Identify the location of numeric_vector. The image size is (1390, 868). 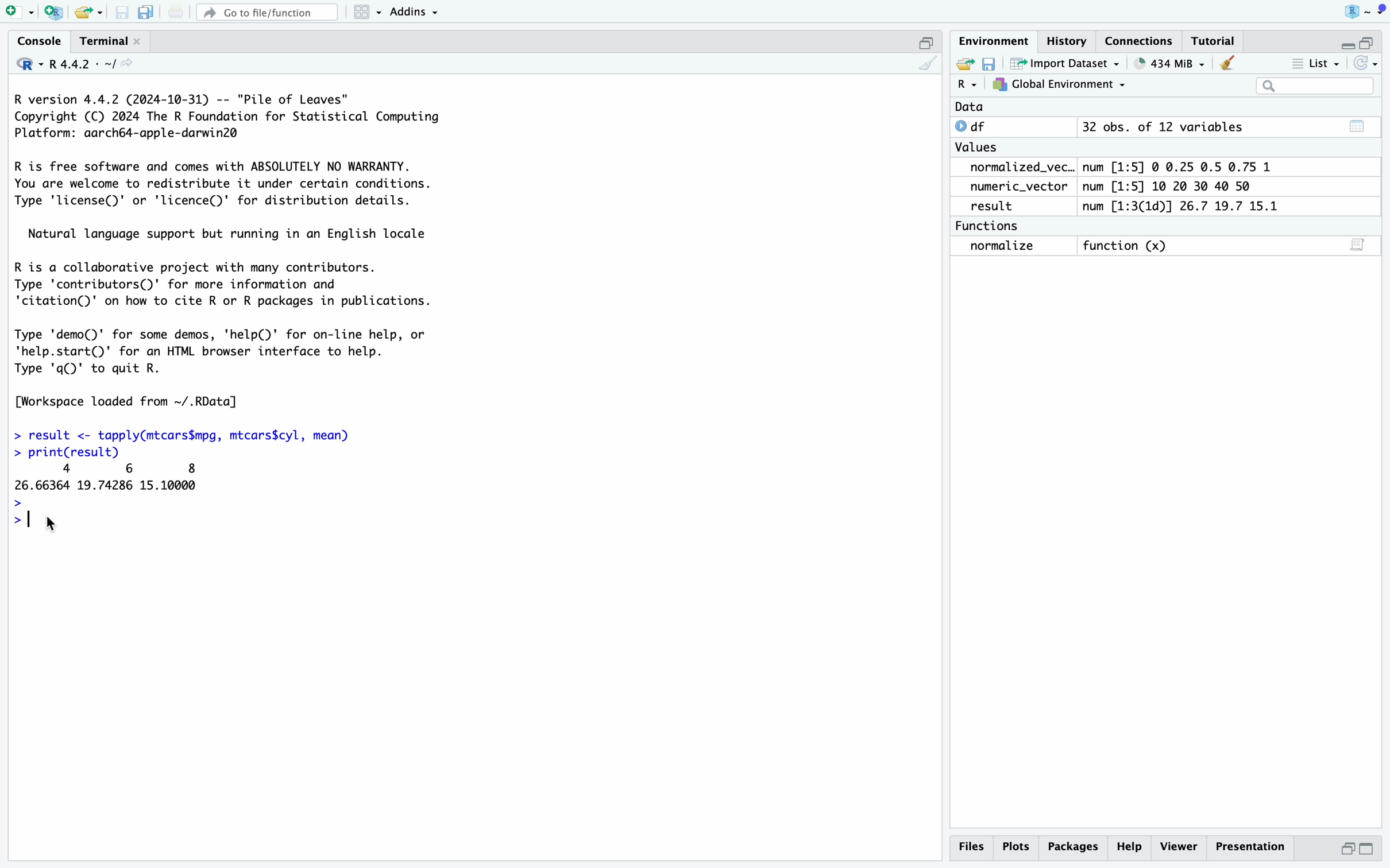
(1018, 185).